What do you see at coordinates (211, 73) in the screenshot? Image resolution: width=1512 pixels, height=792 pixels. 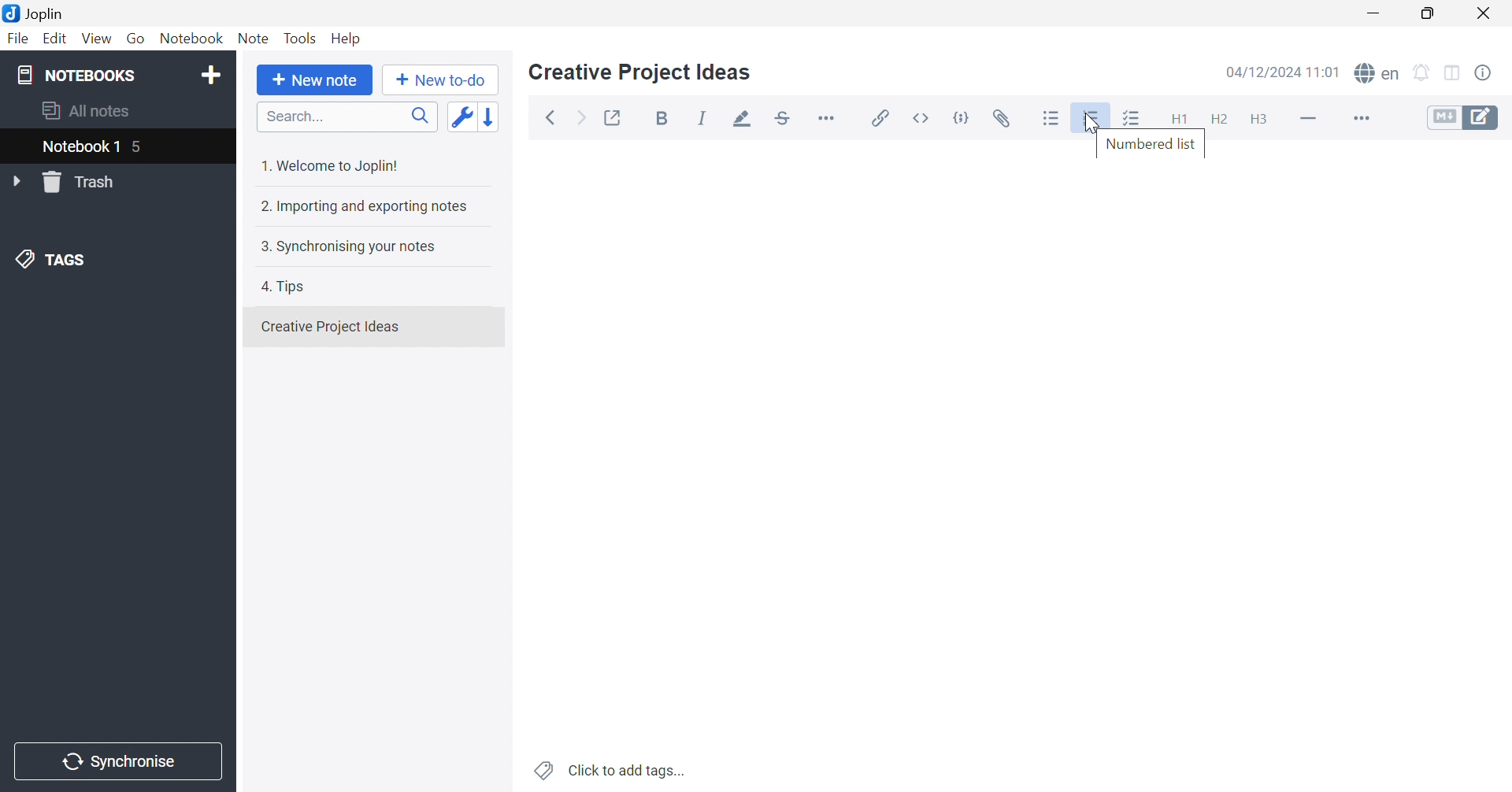 I see `Add notebook` at bounding box center [211, 73].